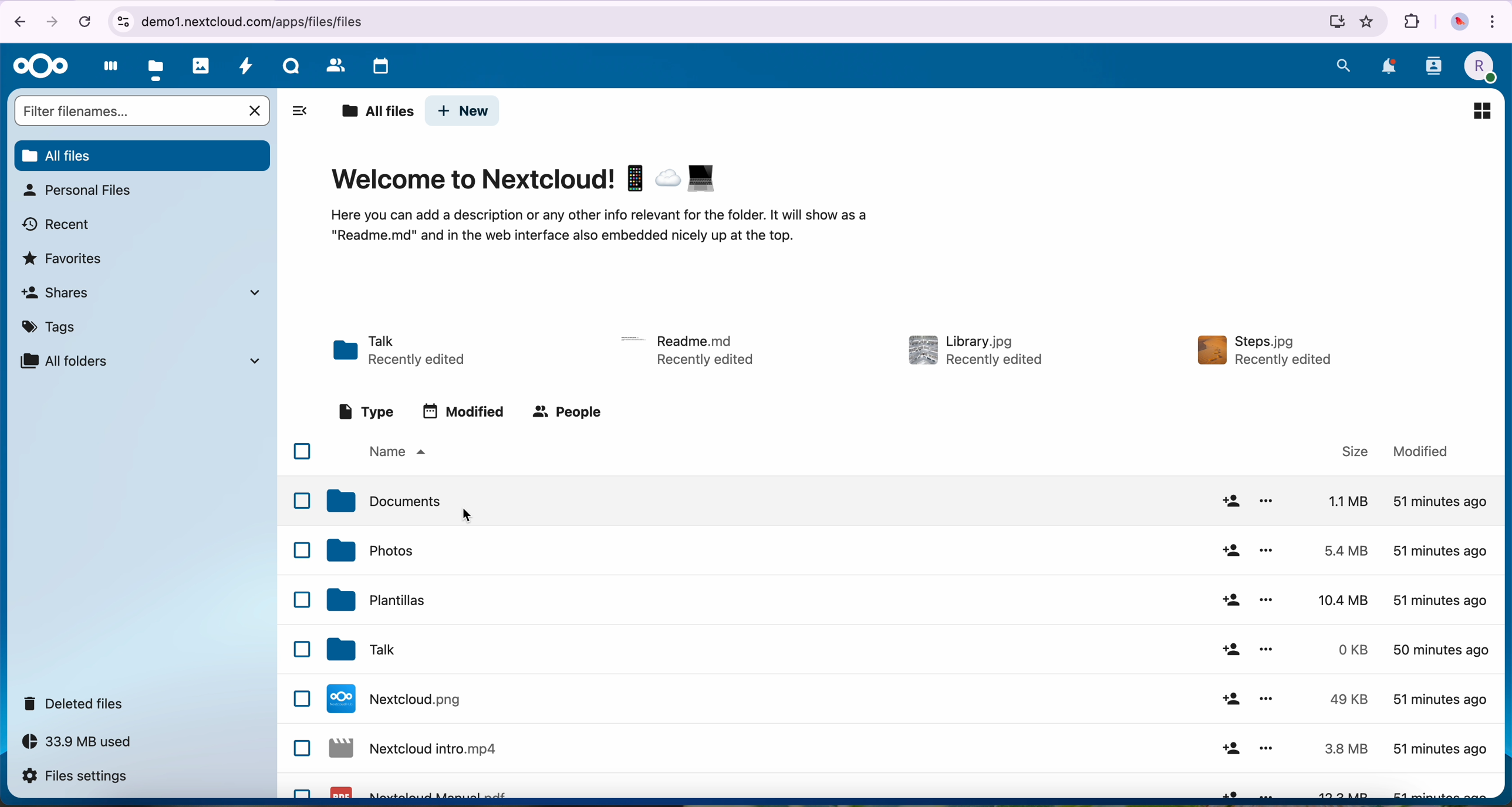  I want to click on checkbox, so click(302, 550).